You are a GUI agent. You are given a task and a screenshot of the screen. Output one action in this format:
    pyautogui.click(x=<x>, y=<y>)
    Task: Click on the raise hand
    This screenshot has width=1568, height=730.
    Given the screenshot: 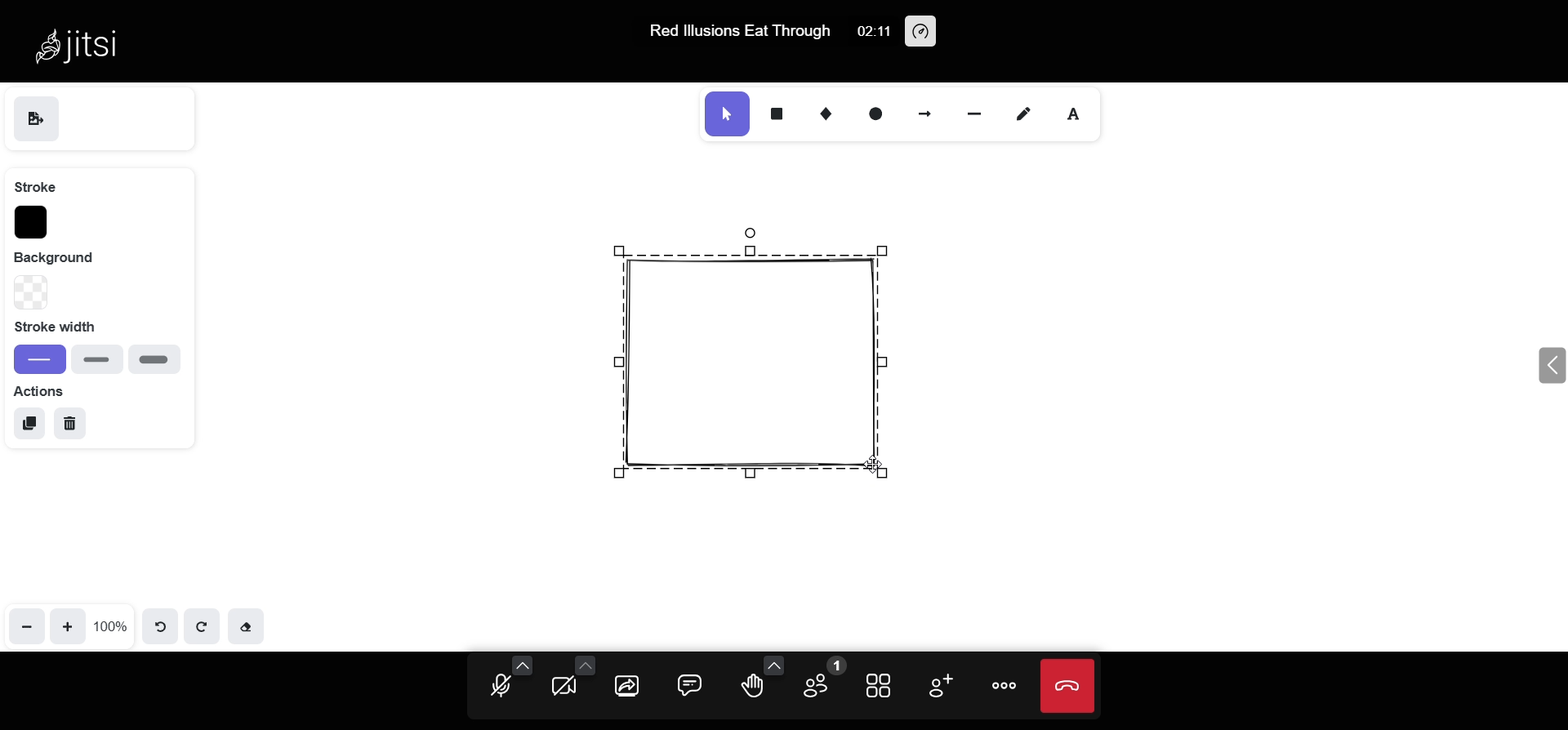 What is the action you would take?
    pyautogui.click(x=751, y=688)
    